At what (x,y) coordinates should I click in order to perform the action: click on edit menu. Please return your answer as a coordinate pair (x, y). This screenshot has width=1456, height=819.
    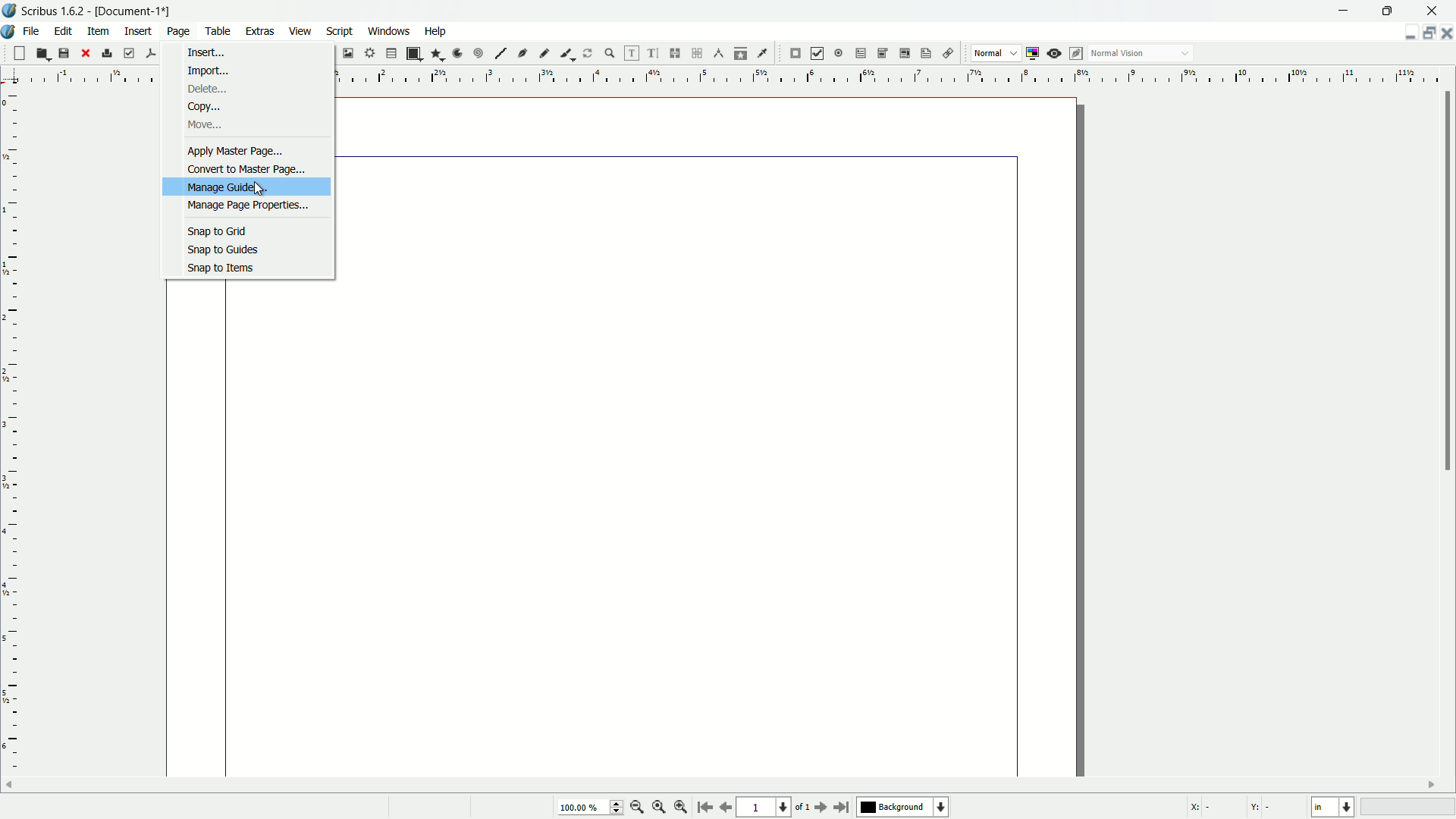
    Looking at the image, I should click on (66, 30).